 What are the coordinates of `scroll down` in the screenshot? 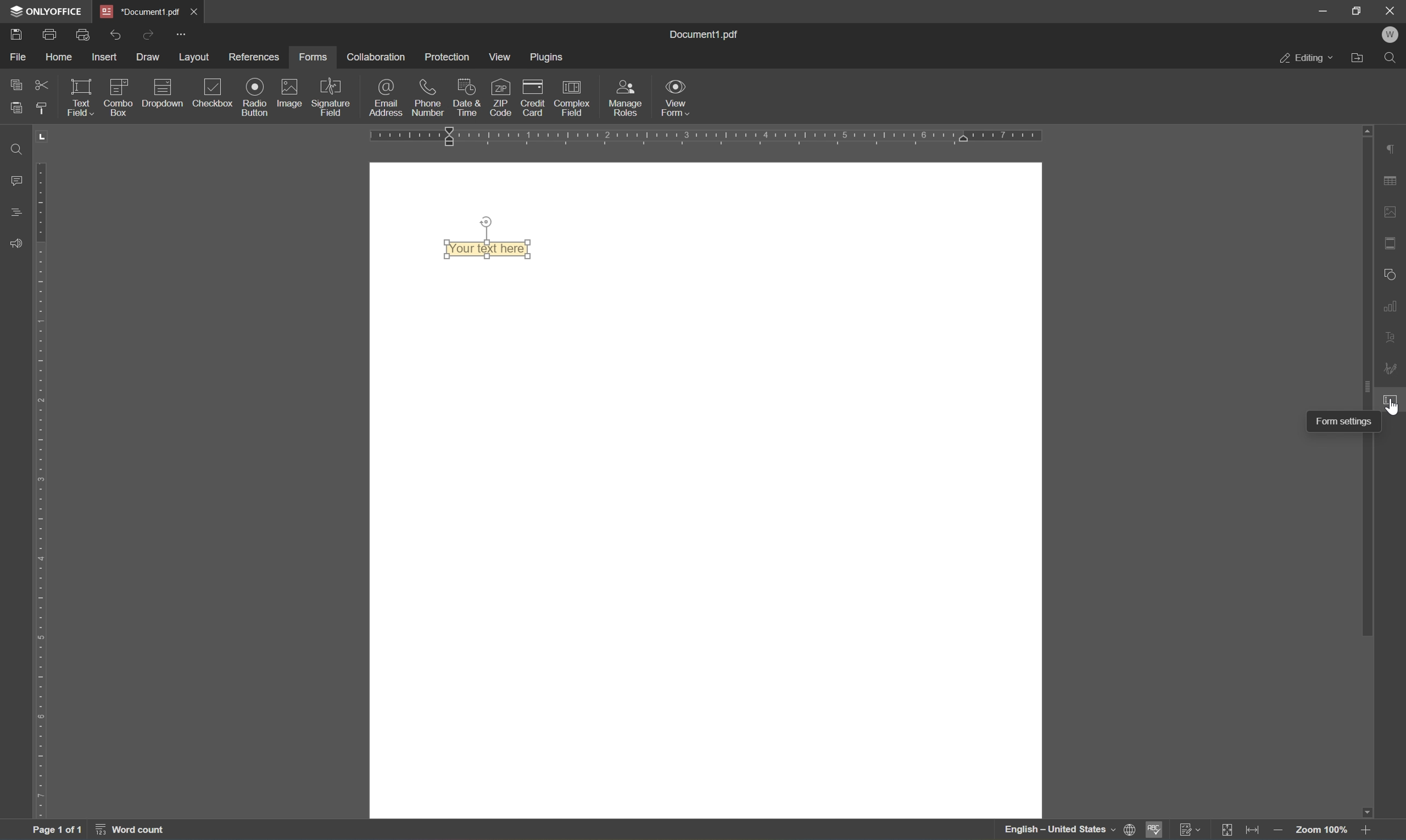 It's located at (1366, 813).